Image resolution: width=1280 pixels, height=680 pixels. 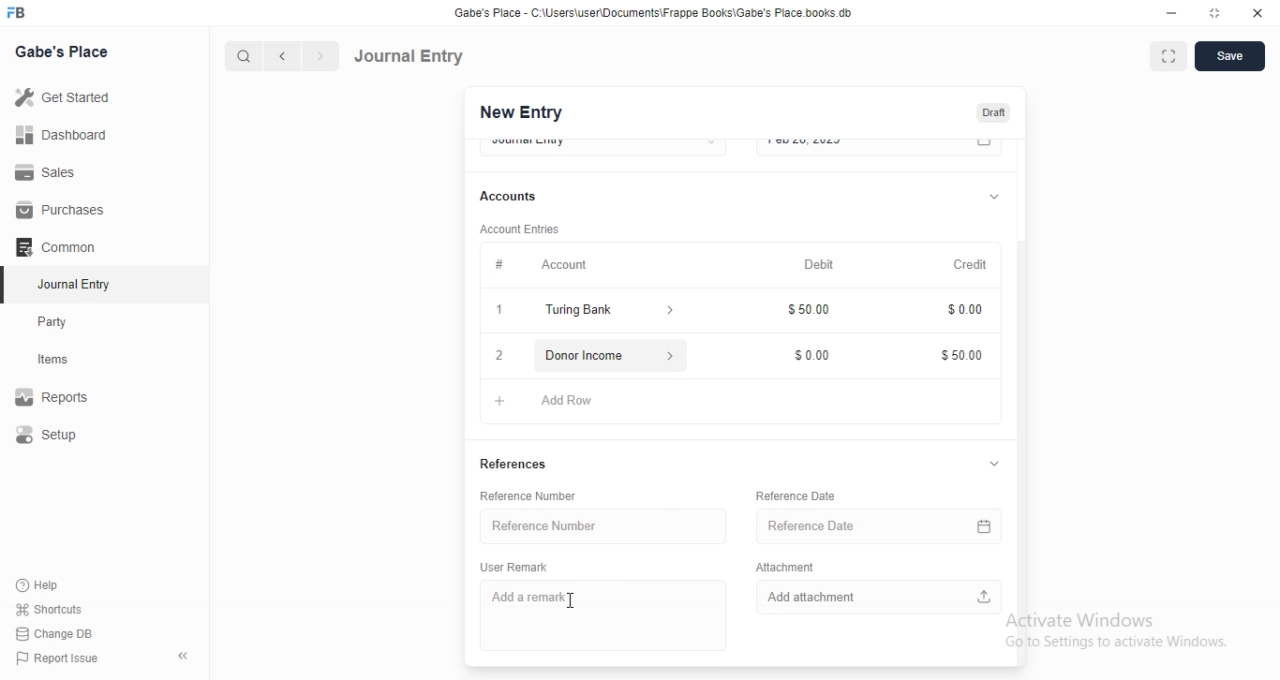 What do you see at coordinates (1258, 14) in the screenshot?
I see `close` at bounding box center [1258, 14].